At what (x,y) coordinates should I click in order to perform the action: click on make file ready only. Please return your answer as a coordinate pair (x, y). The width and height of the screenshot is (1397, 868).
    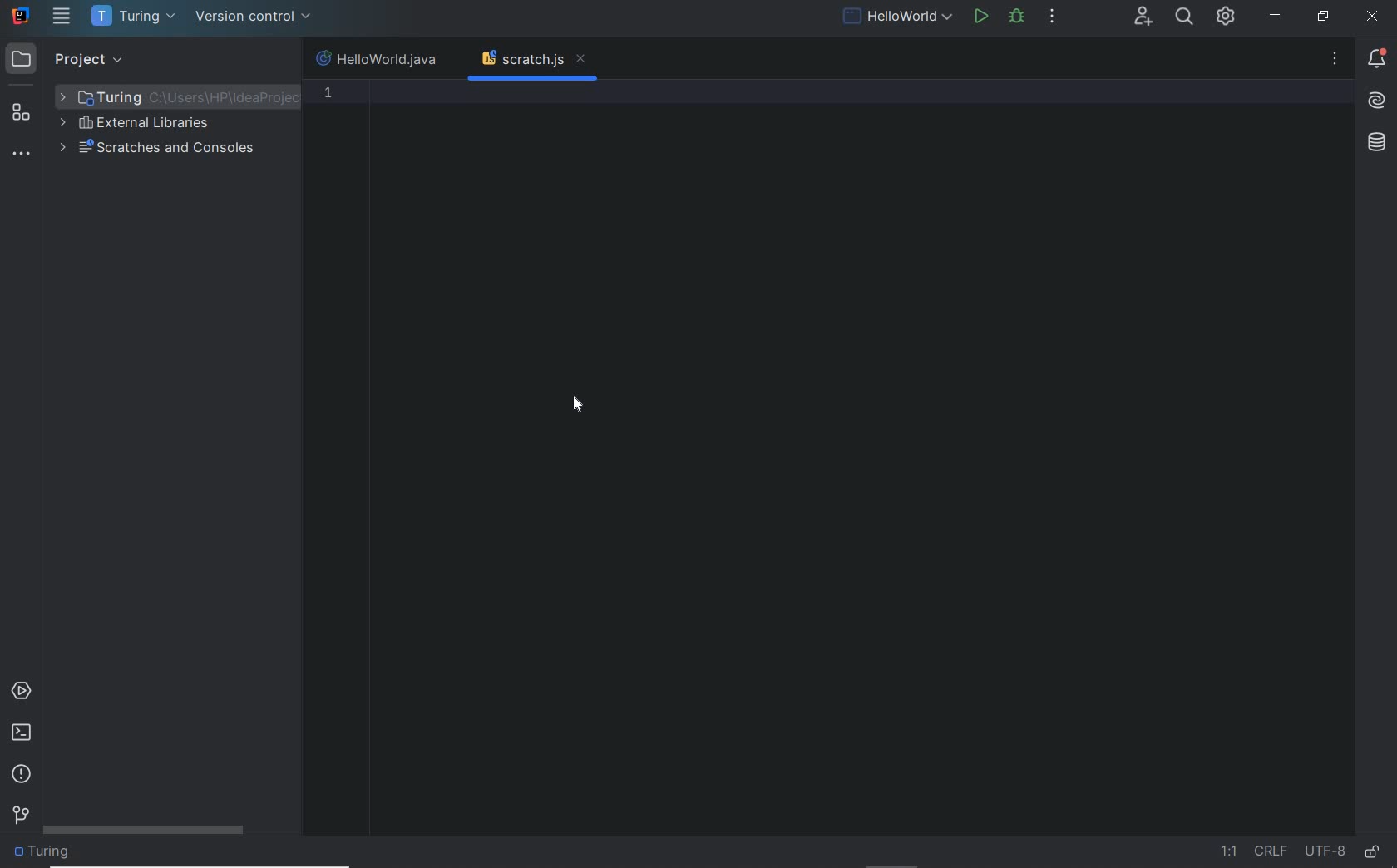
    Looking at the image, I should click on (1371, 852).